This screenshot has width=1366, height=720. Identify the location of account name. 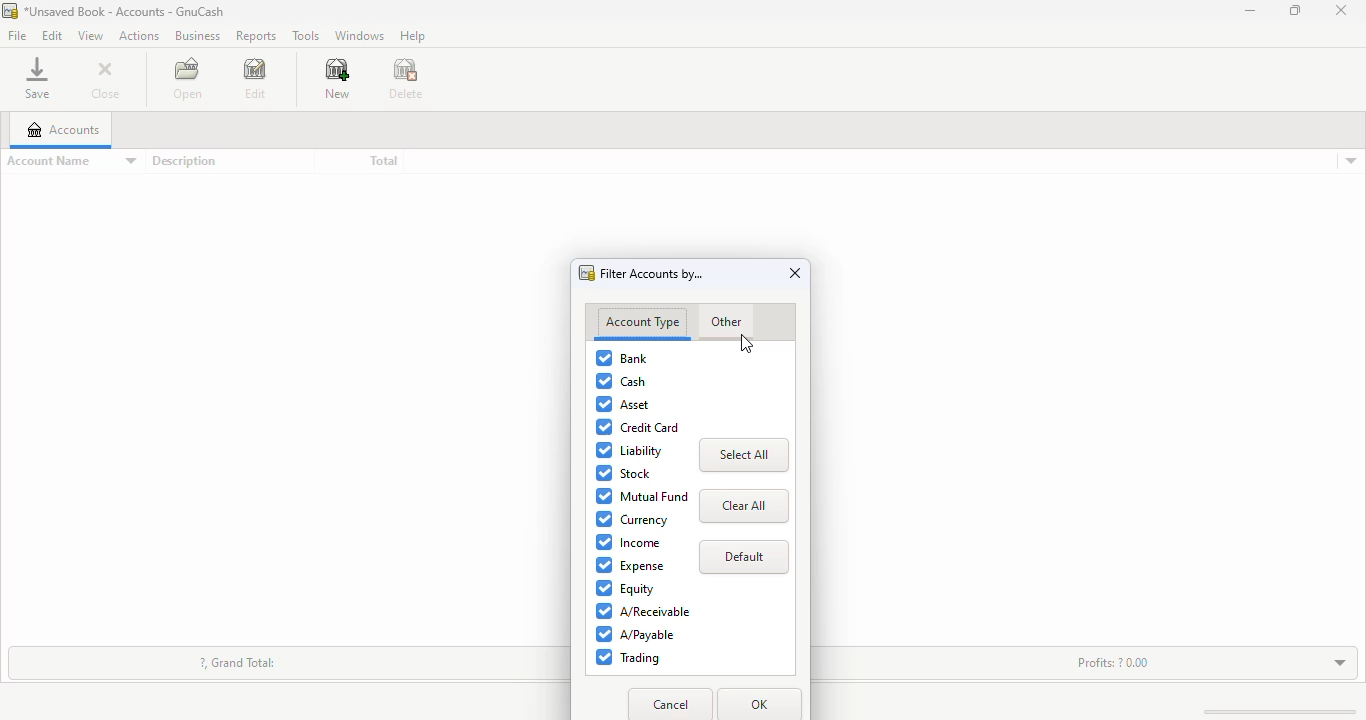
(71, 161).